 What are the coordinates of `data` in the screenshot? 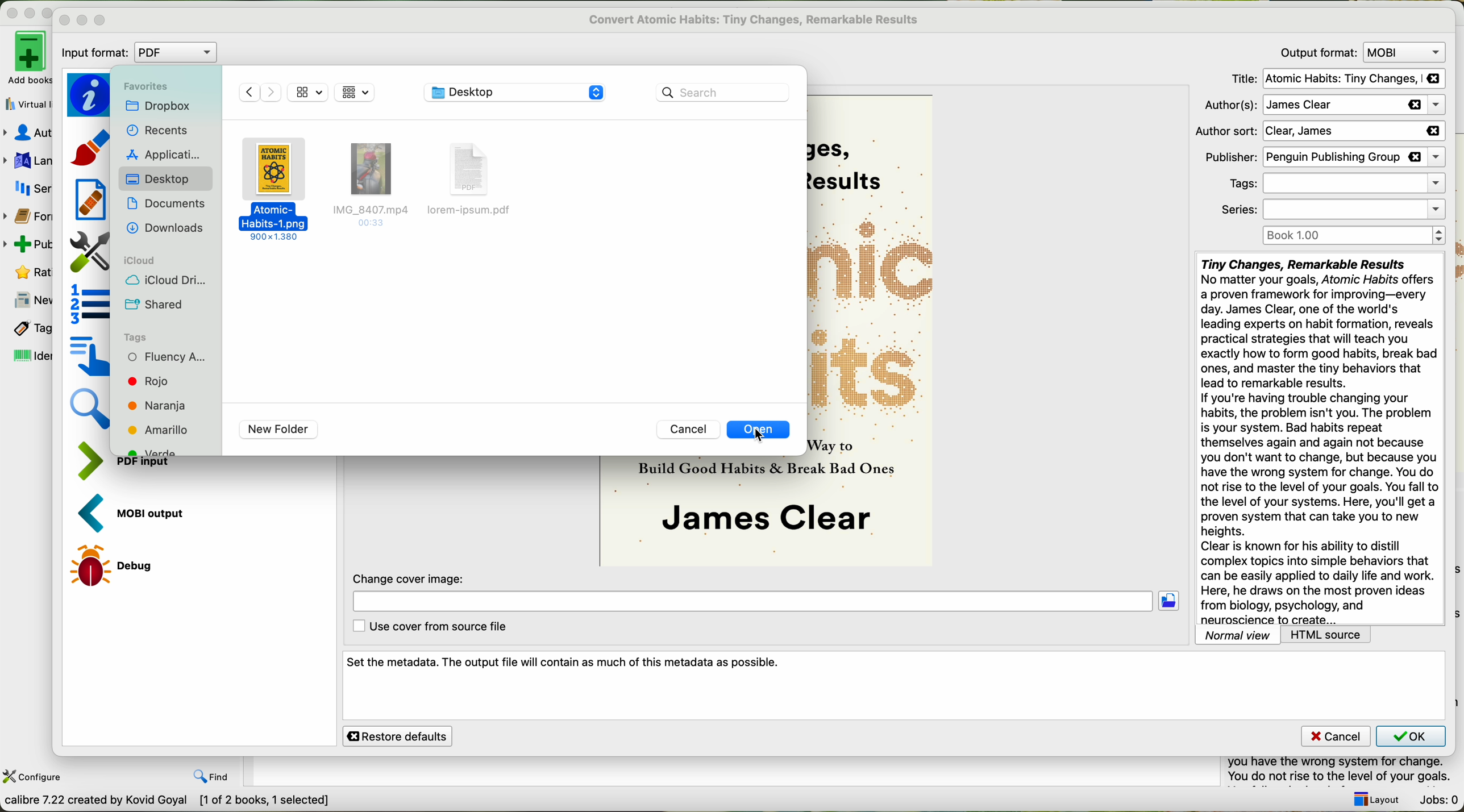 It's located at (168, 802).